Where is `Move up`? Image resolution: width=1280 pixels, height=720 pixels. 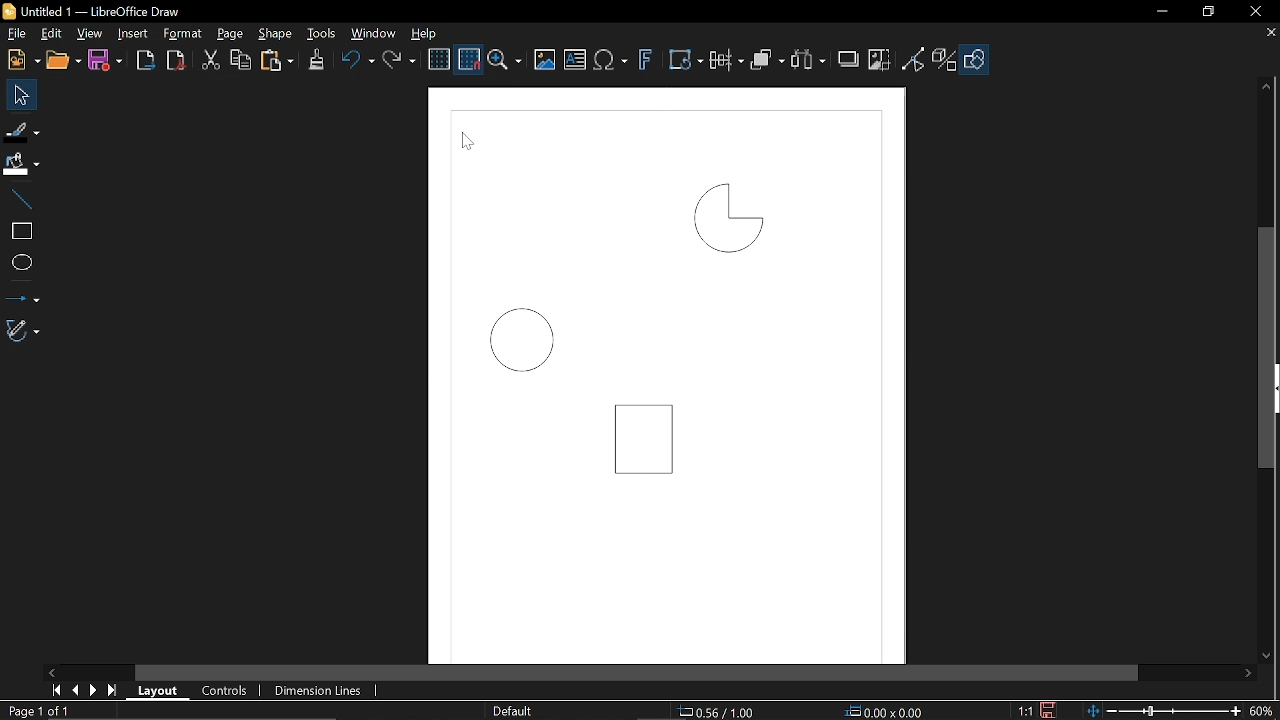 Move up is located at coordinates (1270, 88).